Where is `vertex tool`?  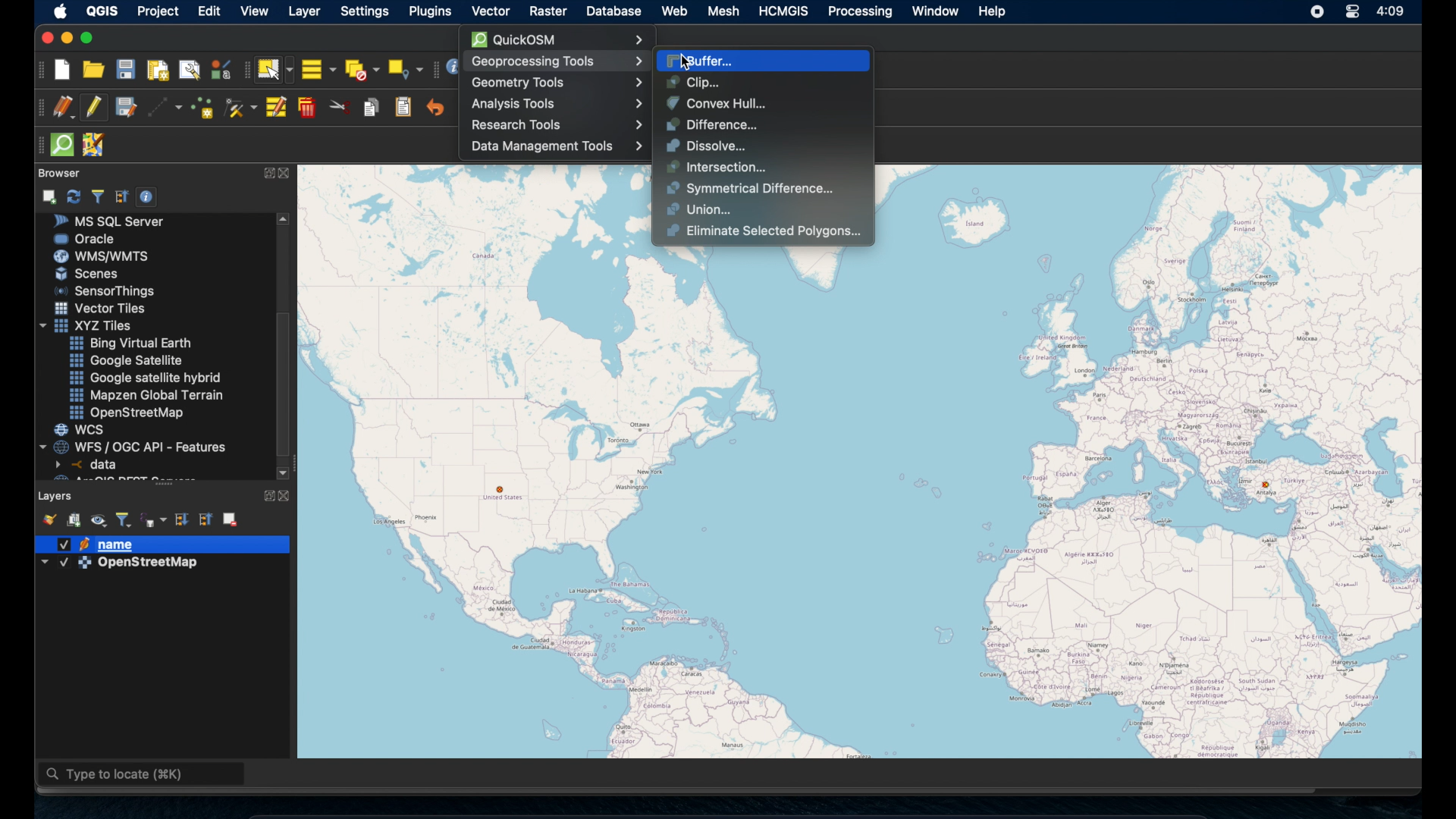 vertex tool is located at coordinates (240, 105).